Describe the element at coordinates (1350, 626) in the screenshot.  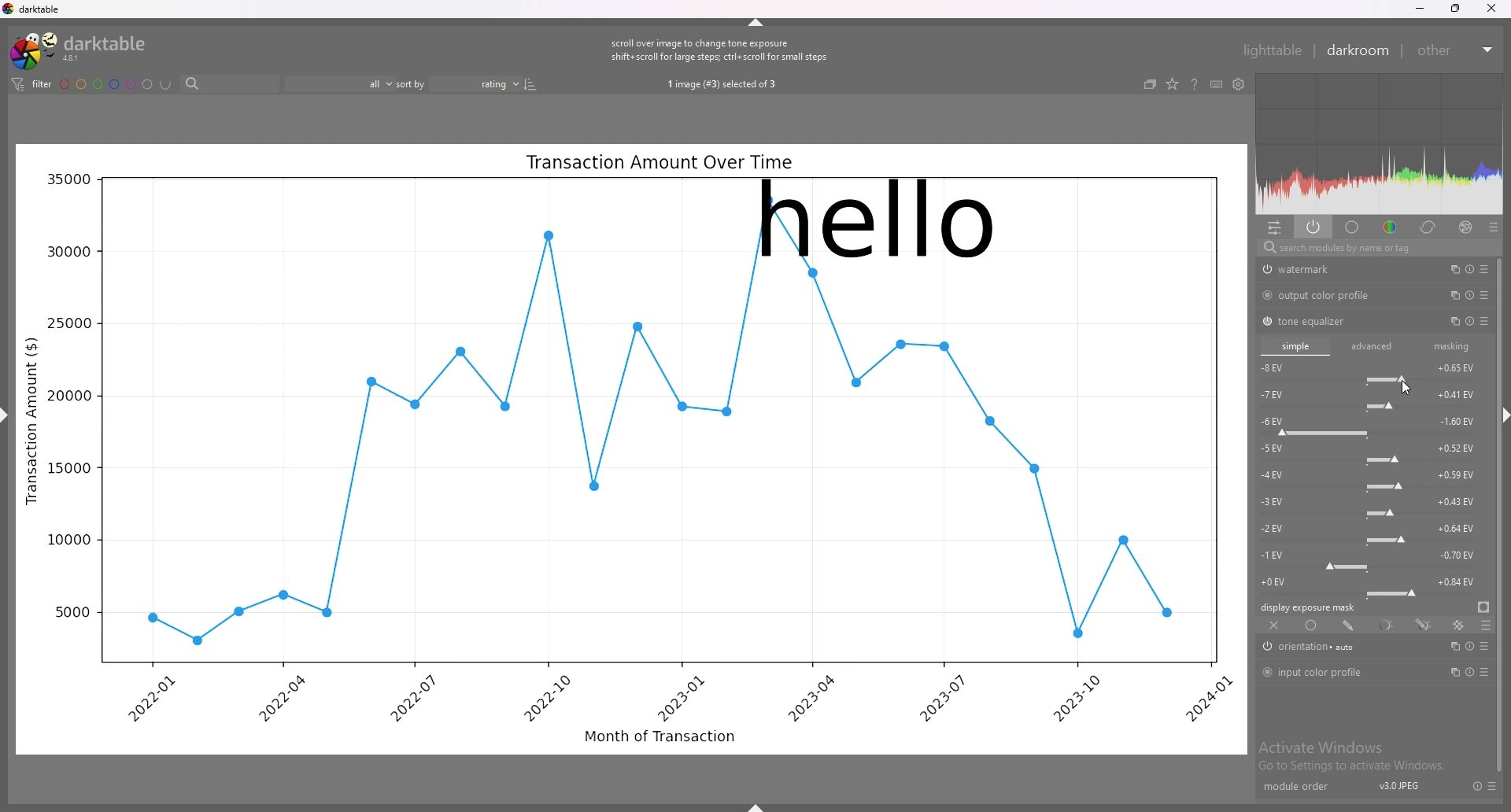
I see `drawn mask` at that location.